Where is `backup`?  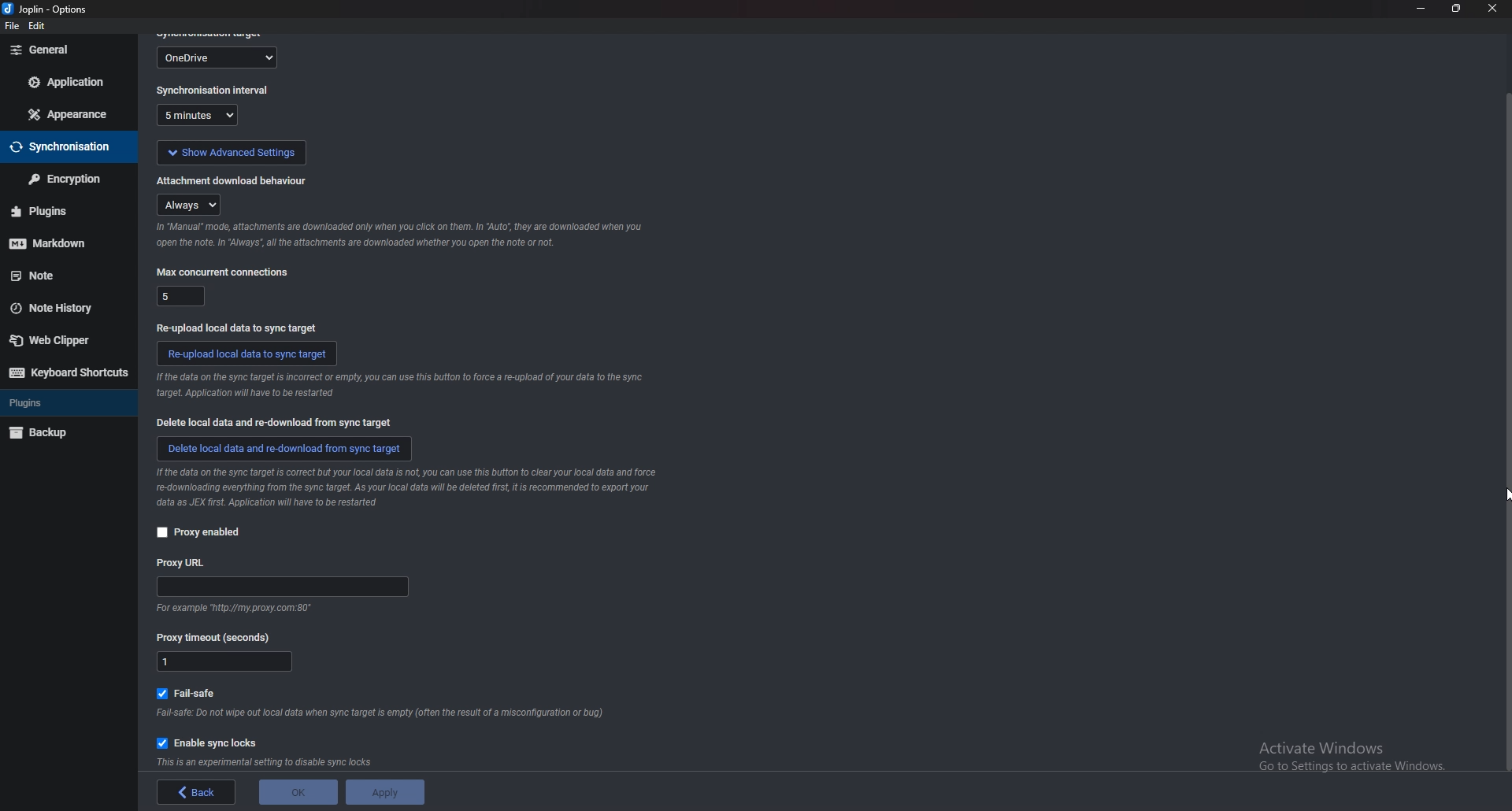
backup is located at coordinates (58, 434).